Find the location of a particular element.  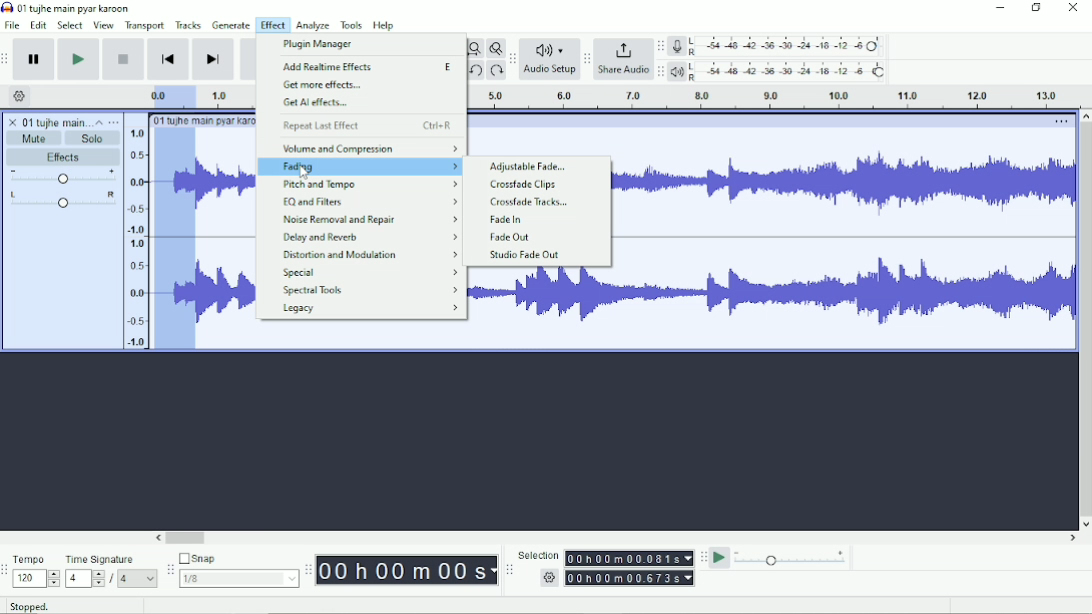

Effect is located at coordinates (272, 24).